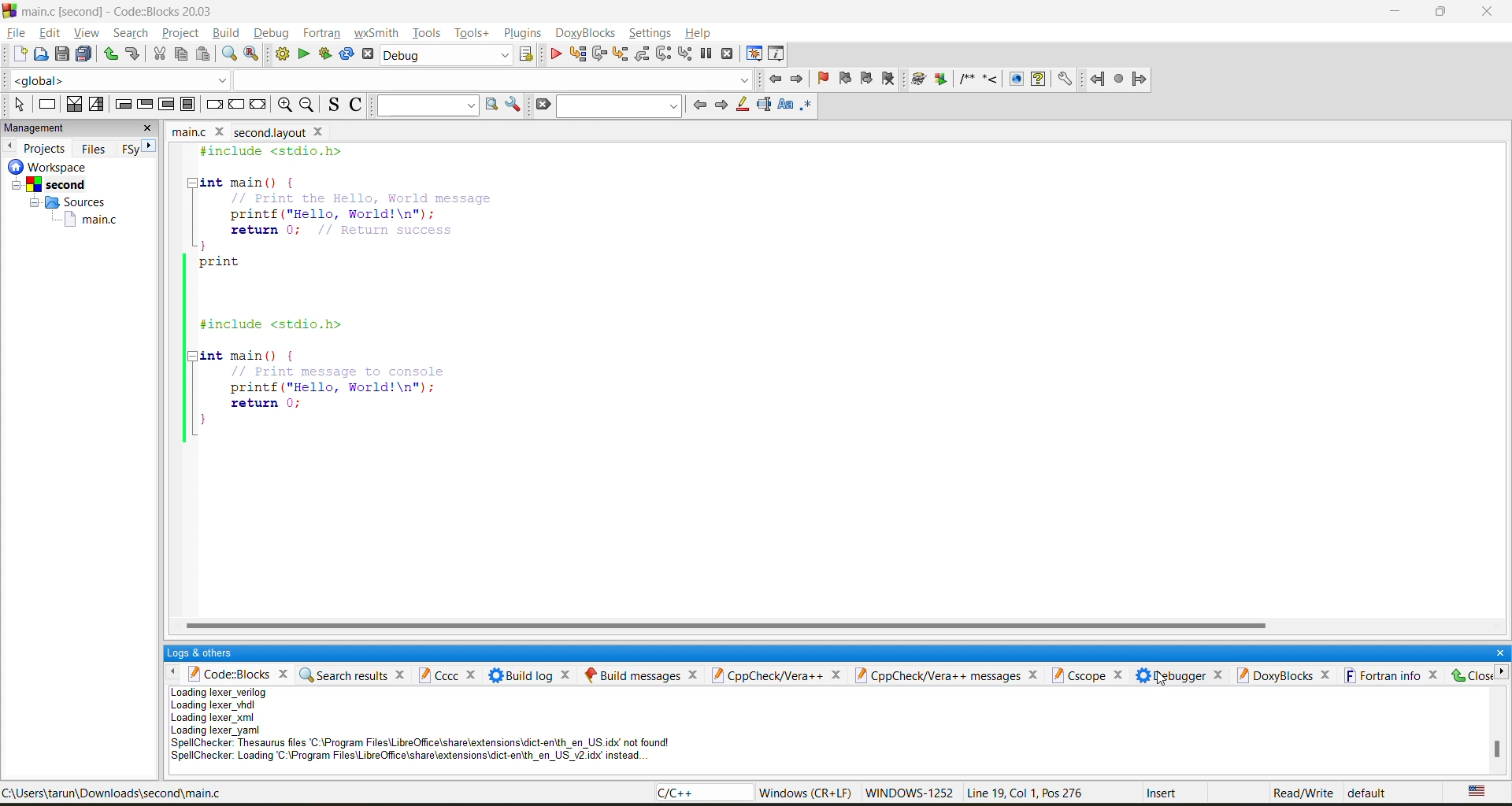 This screenshot has width=1512, height=806. What do you see at coordinates (94, 104) in the screenshot?
I see `selection` at bounding box center [94, 104].